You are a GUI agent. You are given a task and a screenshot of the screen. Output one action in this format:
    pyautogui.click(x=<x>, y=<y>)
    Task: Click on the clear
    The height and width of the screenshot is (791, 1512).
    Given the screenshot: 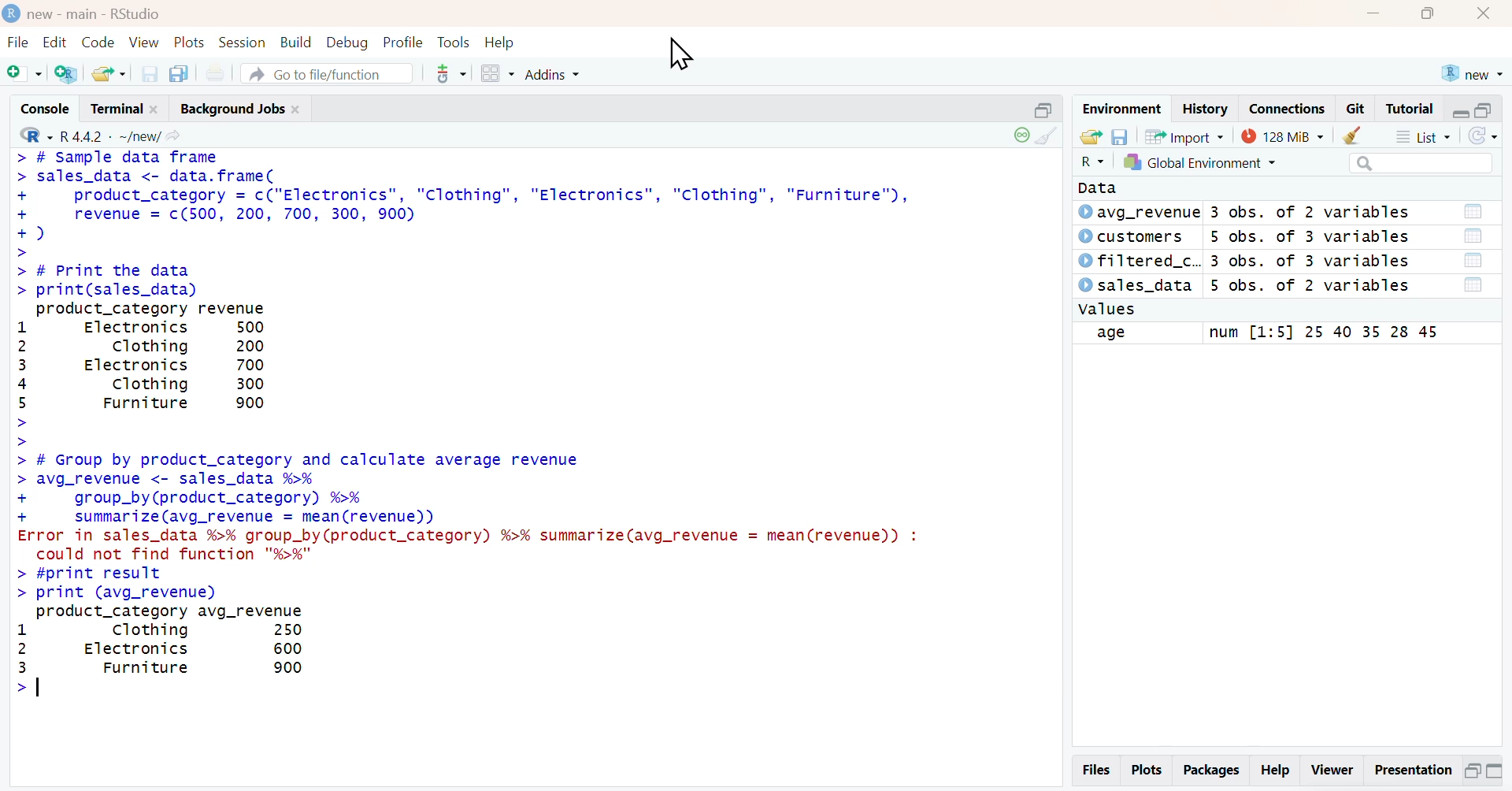 What is the action you would take?
    pyautogui.click(x=1349, y=135)
    